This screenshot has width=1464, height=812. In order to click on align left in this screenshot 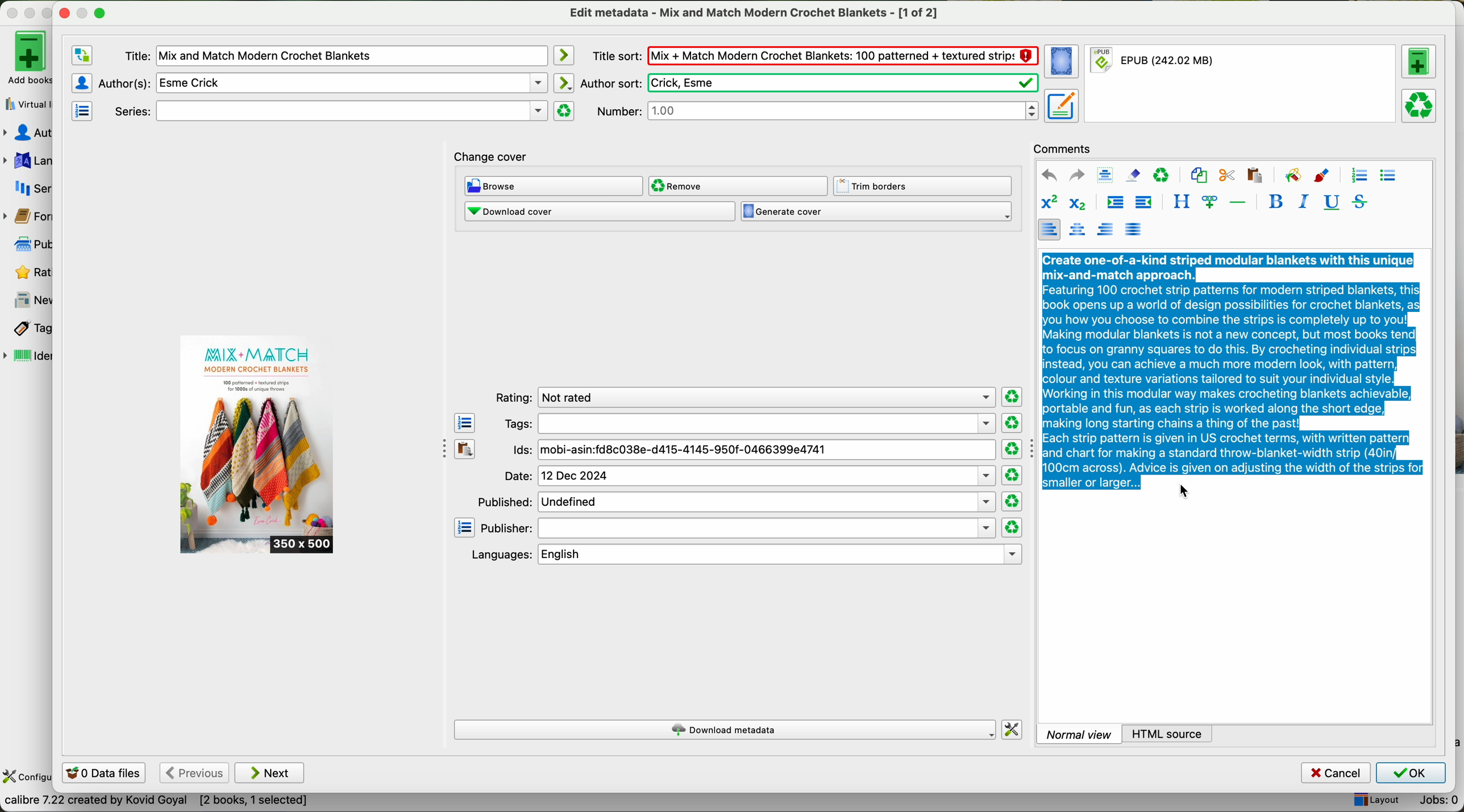, I will do `click(1049, 229)`.